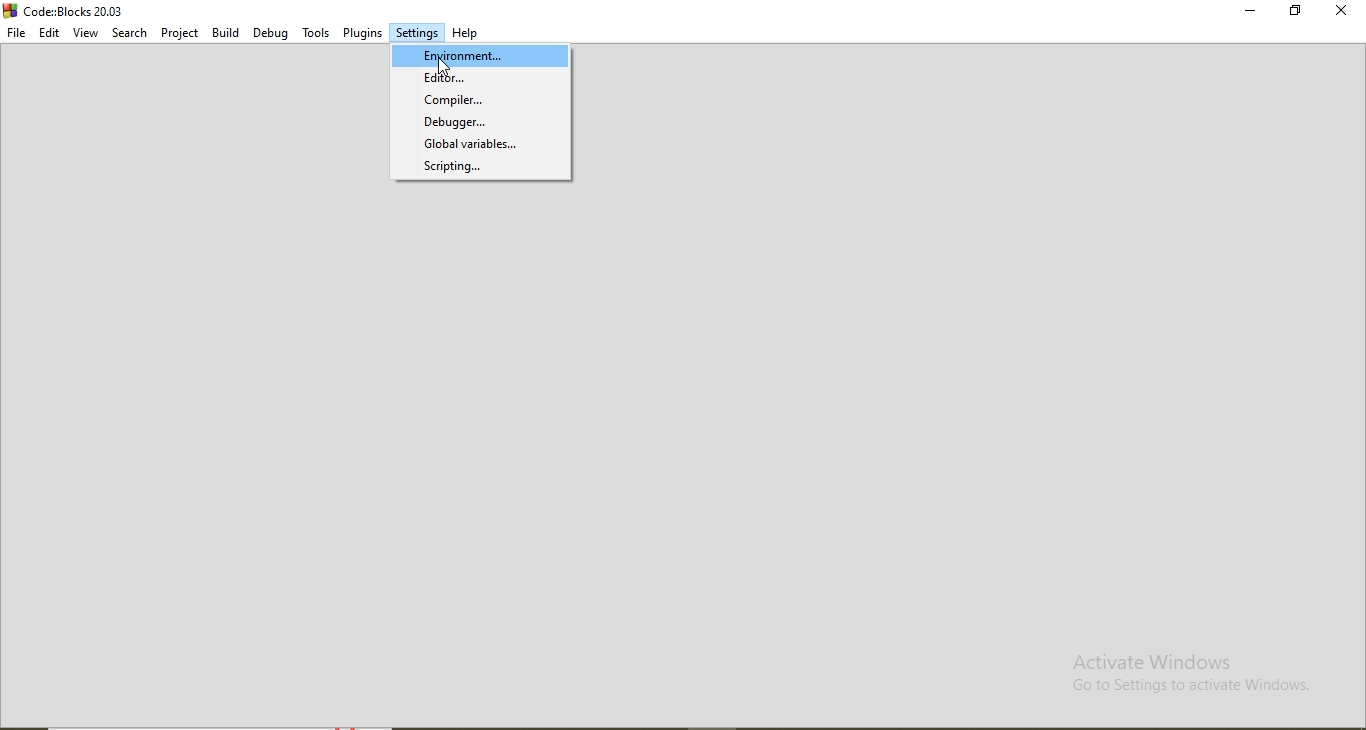 This screenshot has height=730, width=1366. What do you see at coordinates (481, 122) in the screenshot?
I see `Debugger` at bounding box center [481, 122].